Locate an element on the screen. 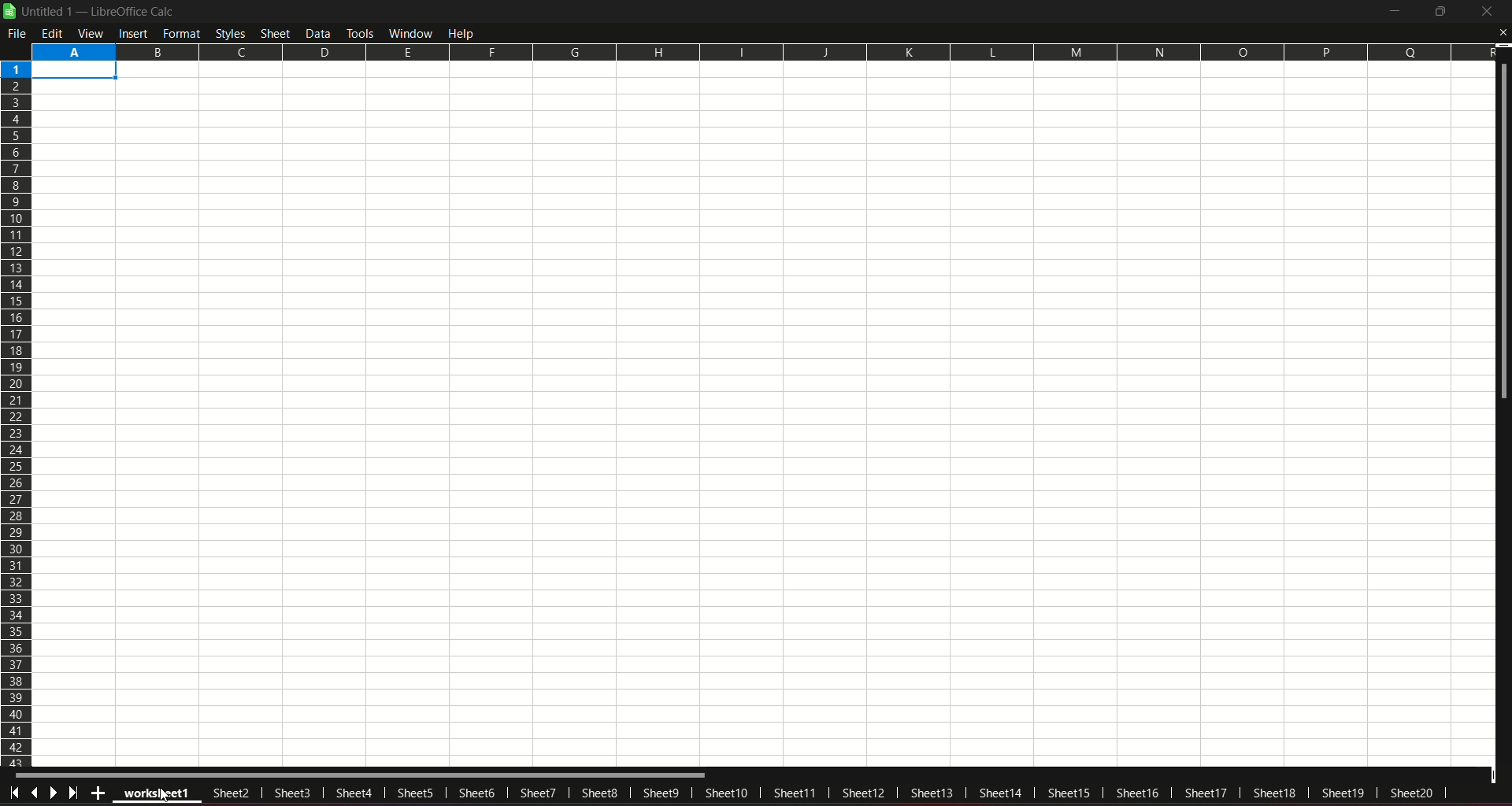  file is located at coordinates (19, 33).